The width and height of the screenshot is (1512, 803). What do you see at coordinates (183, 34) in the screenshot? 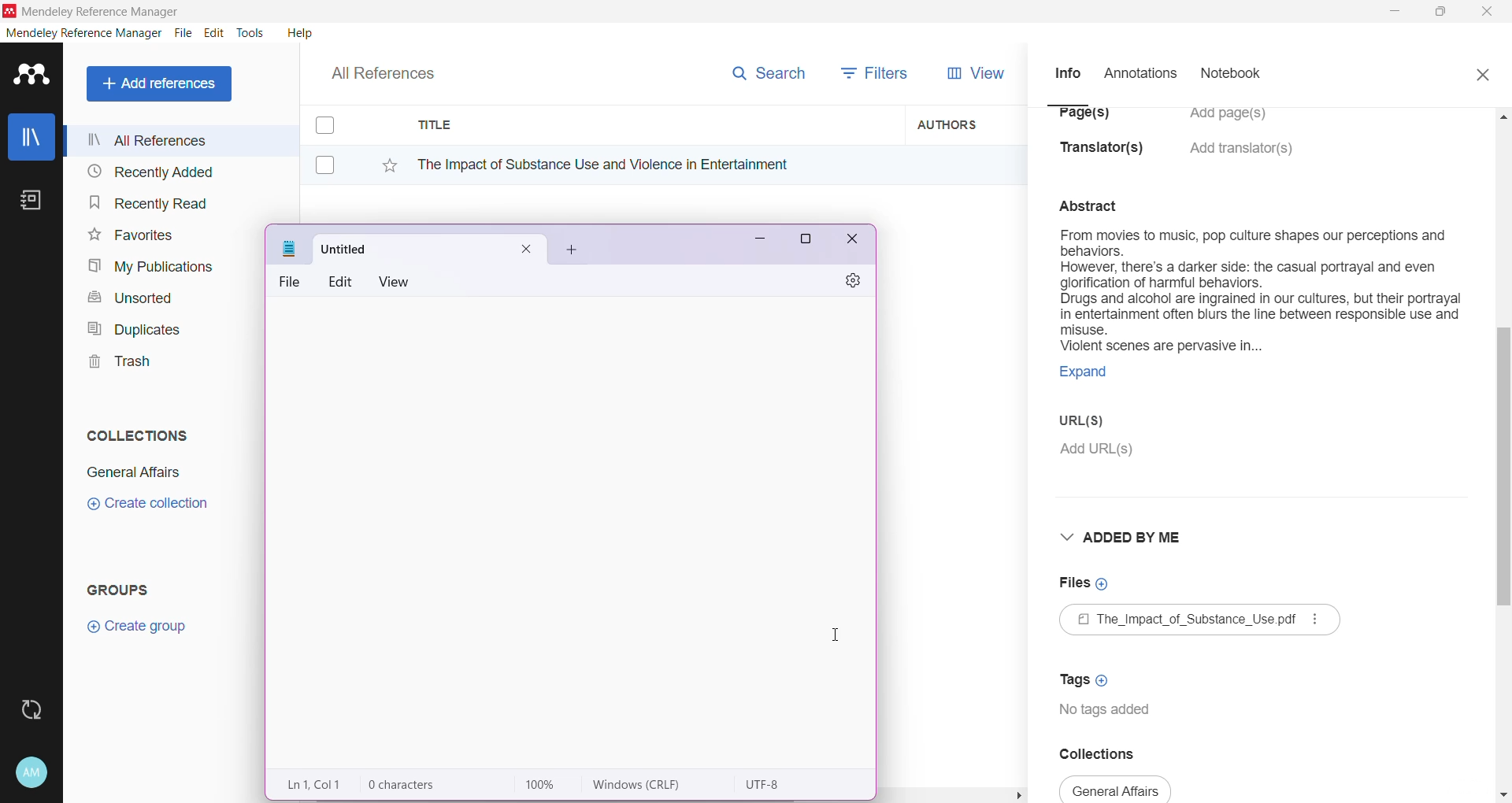
I see `File` at bounding box center [183, 34].